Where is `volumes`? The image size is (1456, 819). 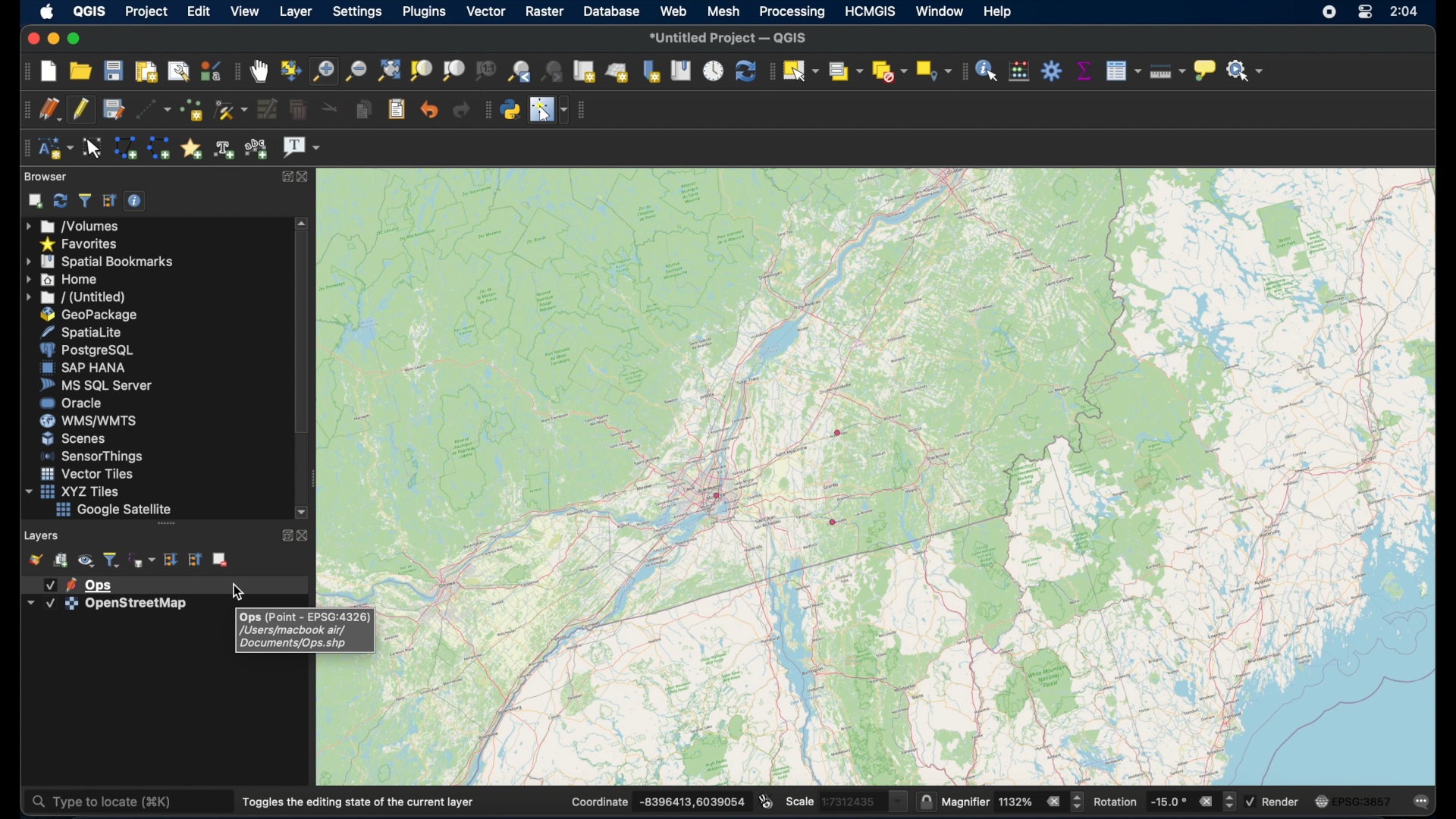 volumes is located at coordinates (72, 224).